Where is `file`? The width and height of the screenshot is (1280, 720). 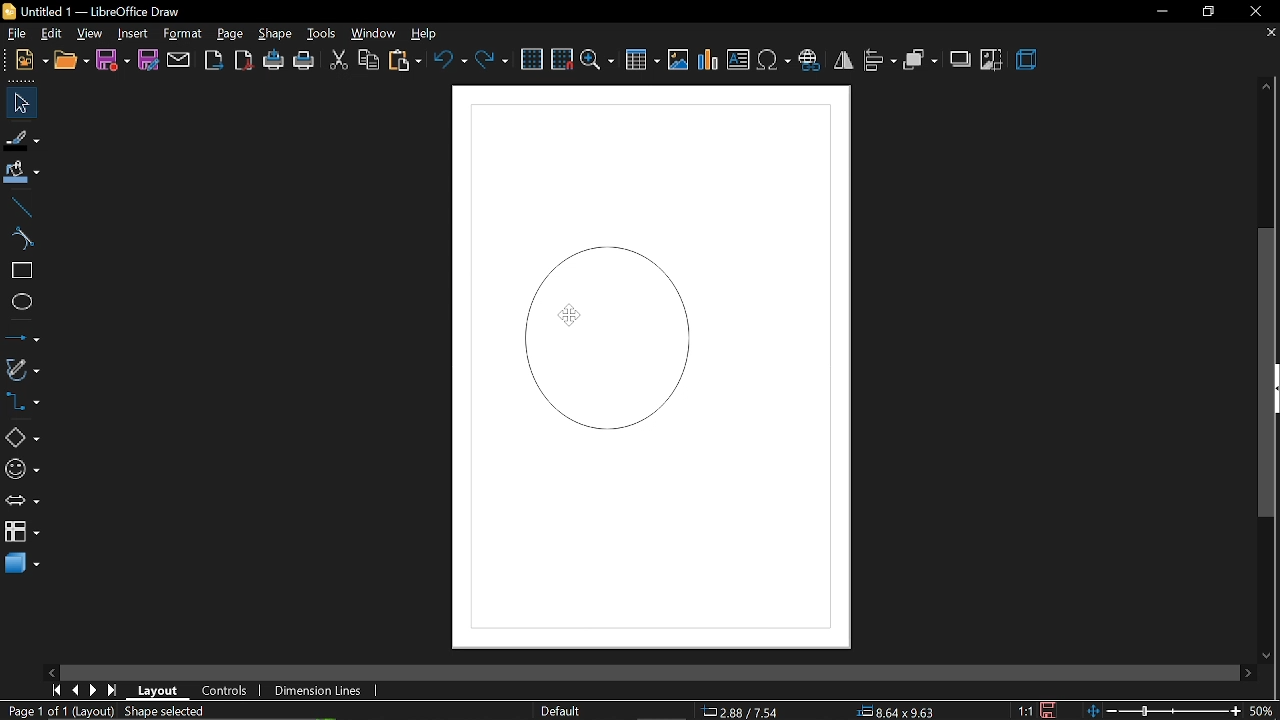
file is located at coordinates (15, 34).